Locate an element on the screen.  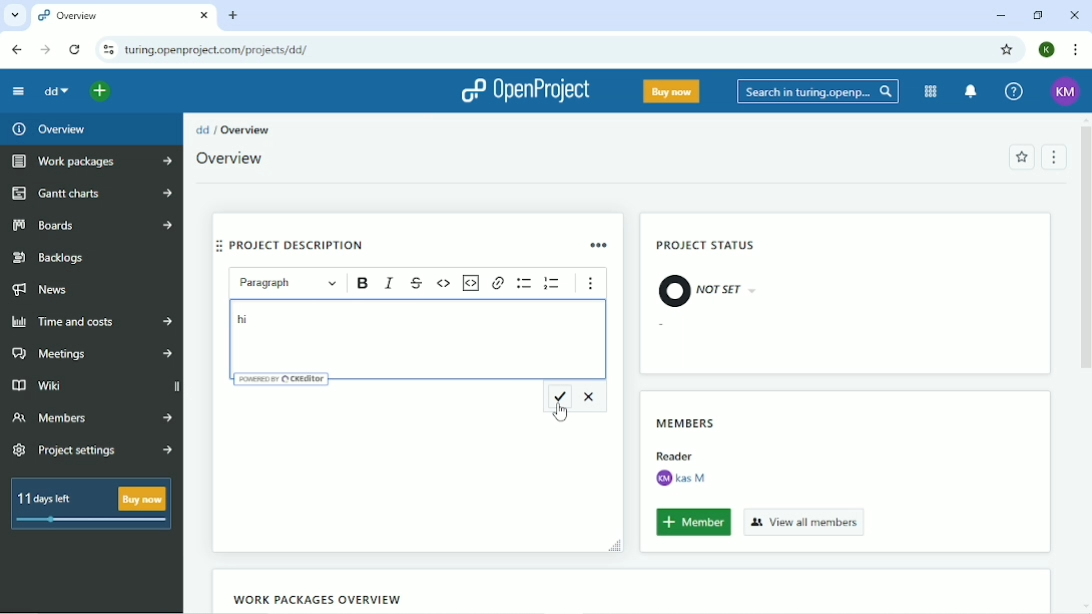
Search is located at coordinates (818, 90).